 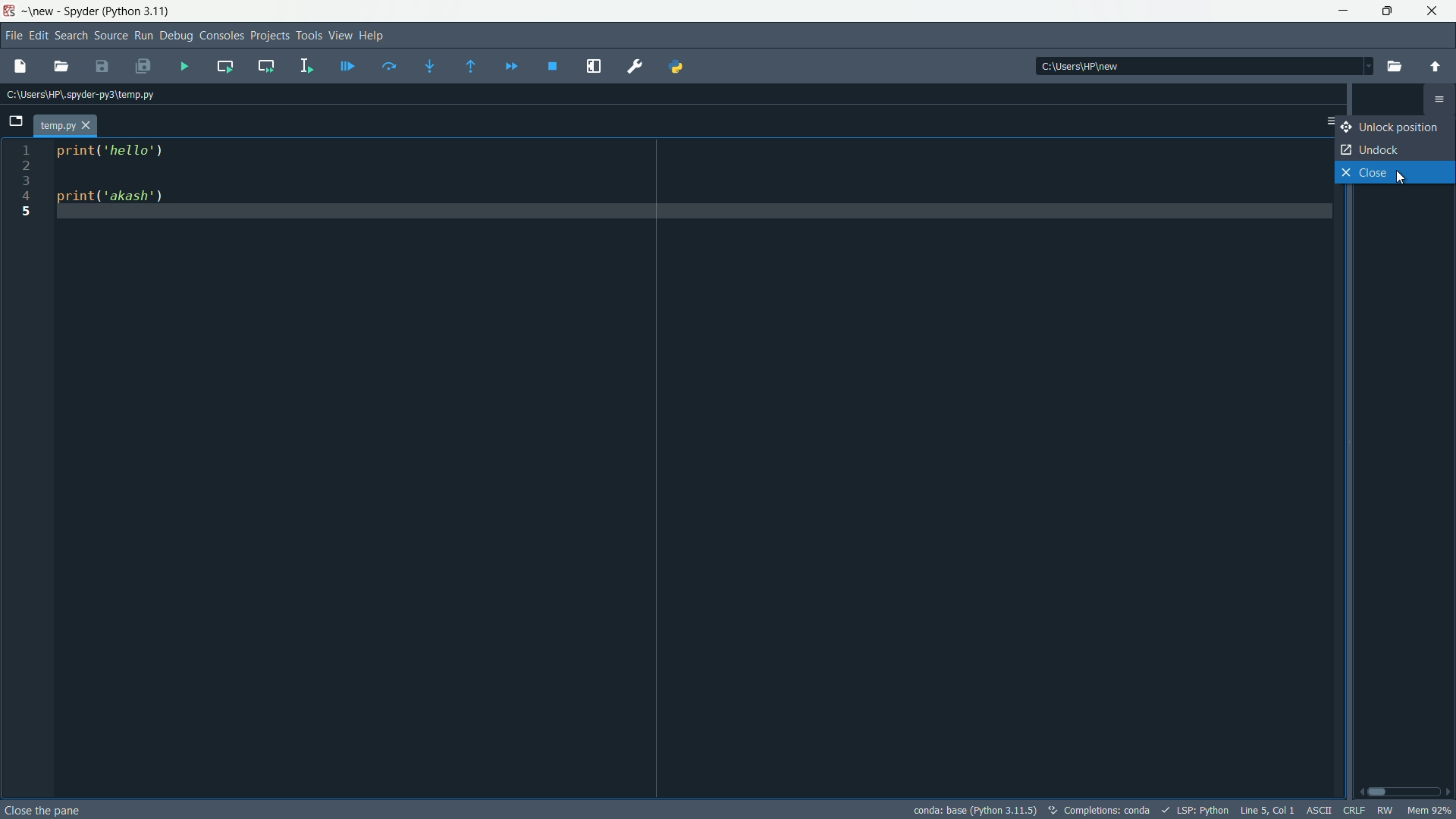 What do you see at coordinates (508, 65) in the screenshot?
I see `continue execution untill next function` at bounding box center [508, 65].